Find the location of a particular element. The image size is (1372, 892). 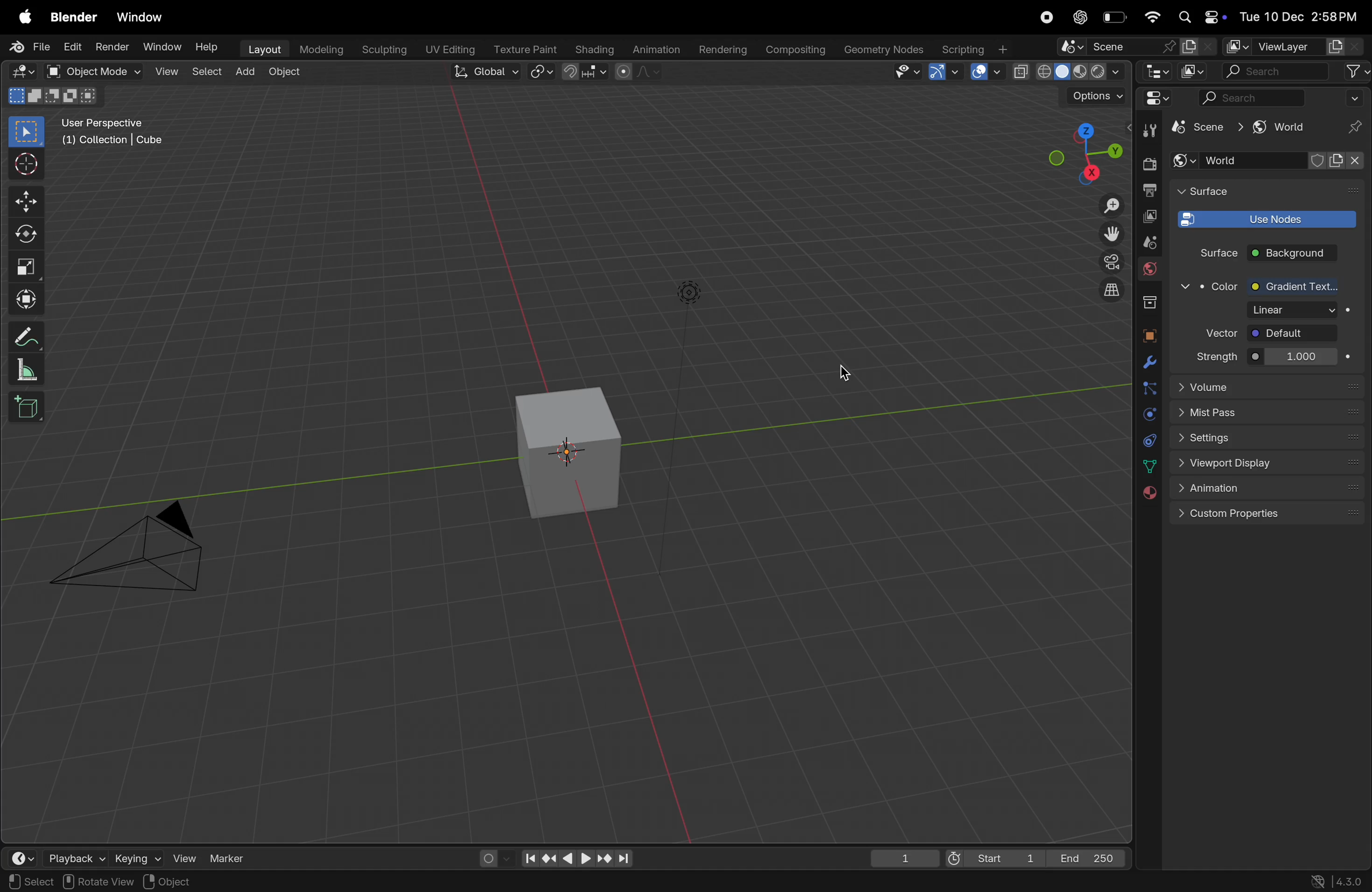

view is located at coordinates (165, 71).